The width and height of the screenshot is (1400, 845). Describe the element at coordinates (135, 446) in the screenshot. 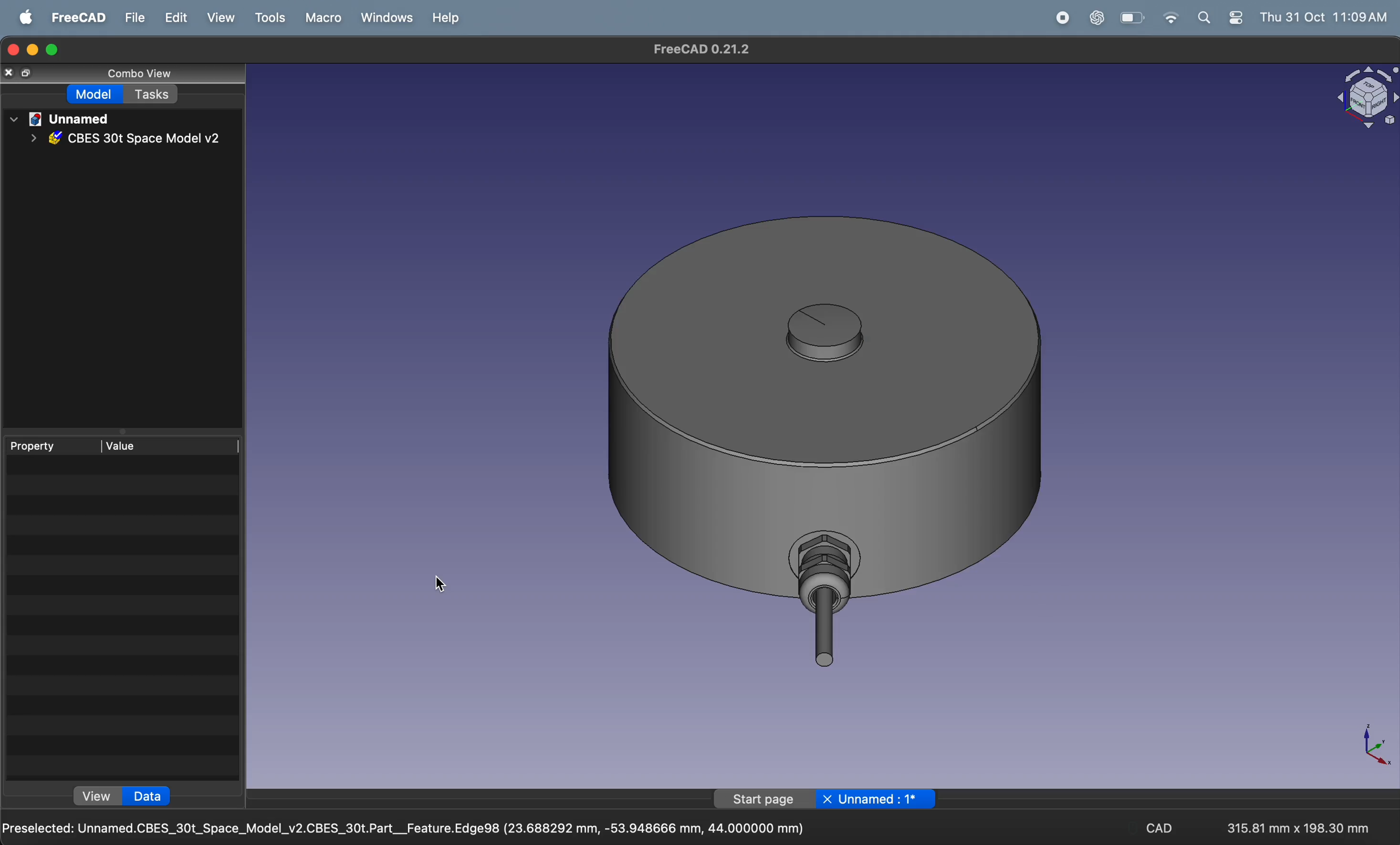

I see `value` at that location.